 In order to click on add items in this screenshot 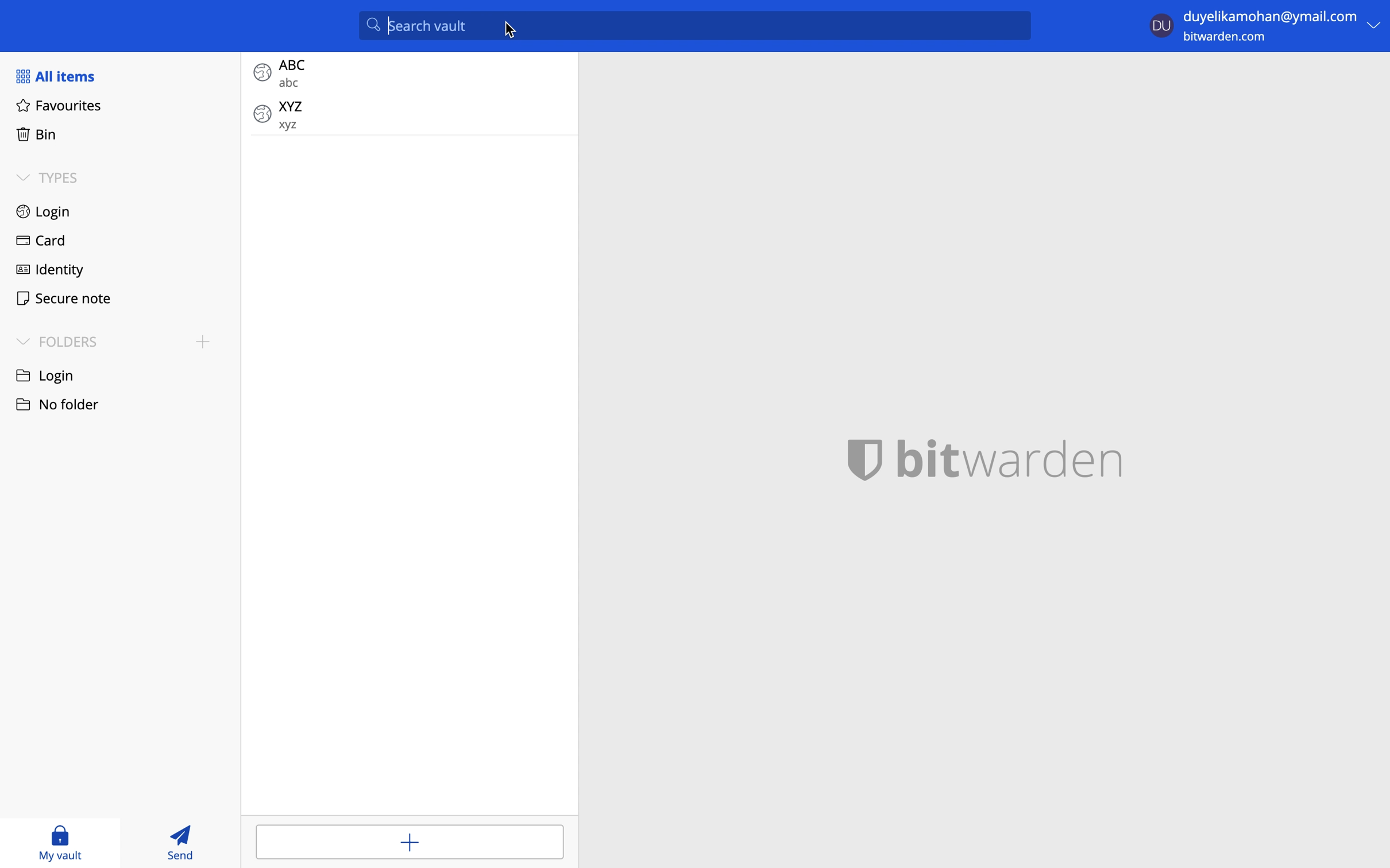, I will do `click(408, 842)`.